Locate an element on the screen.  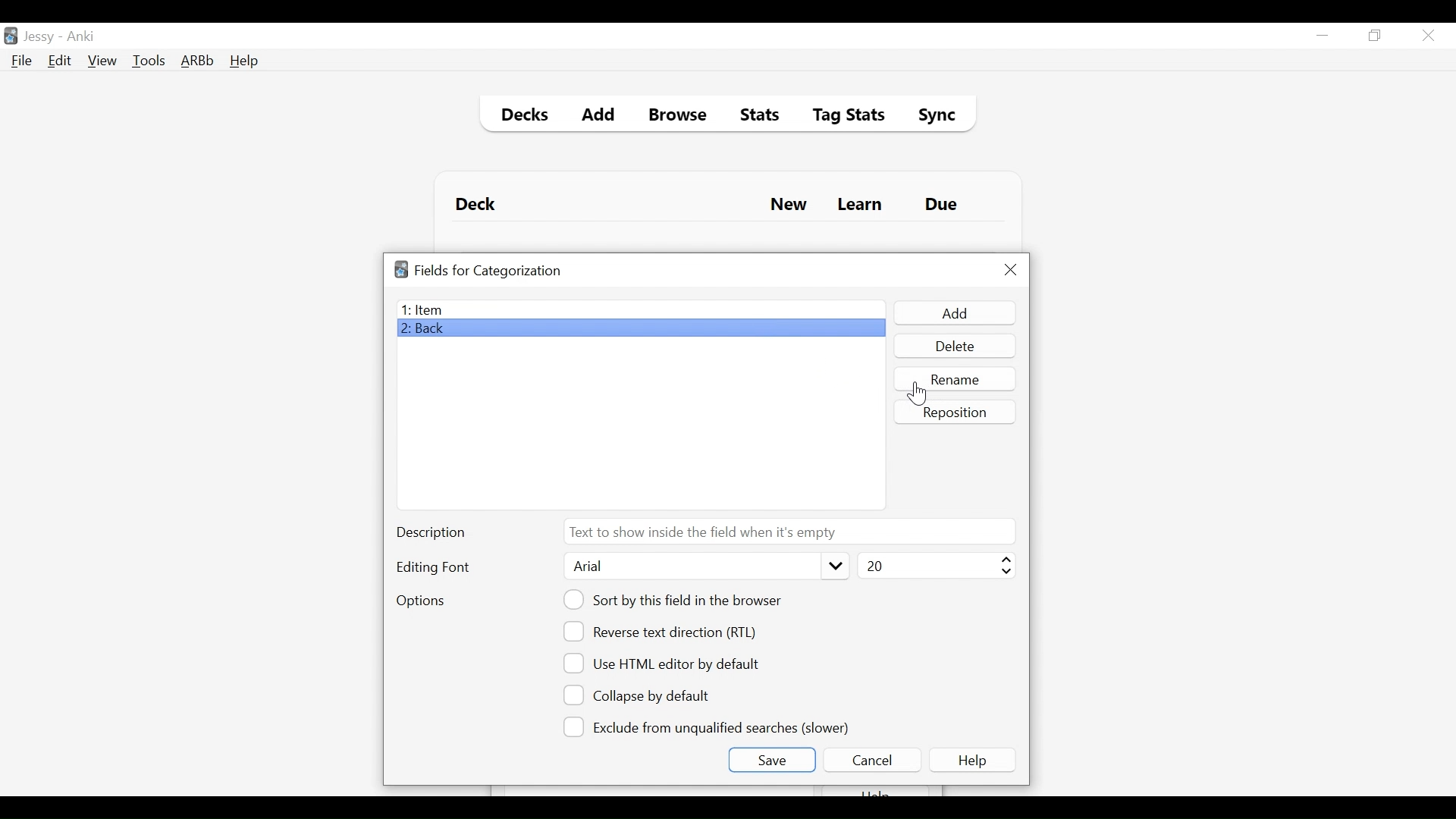
(un)select RTL is located at coordinates (667, 632).